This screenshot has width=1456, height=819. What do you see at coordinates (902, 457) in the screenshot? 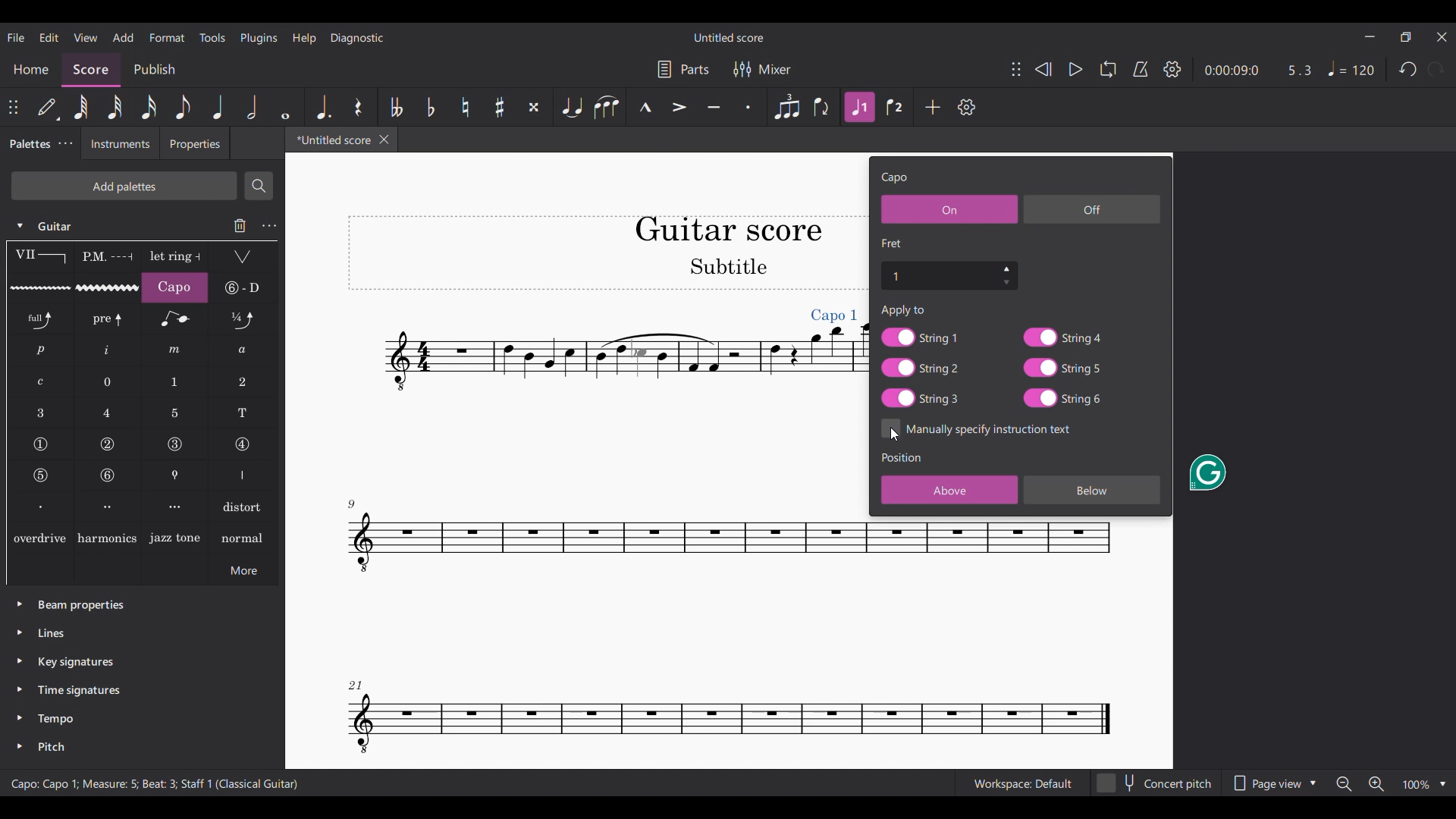
I see `Section title` at bounding box center [902, 457].